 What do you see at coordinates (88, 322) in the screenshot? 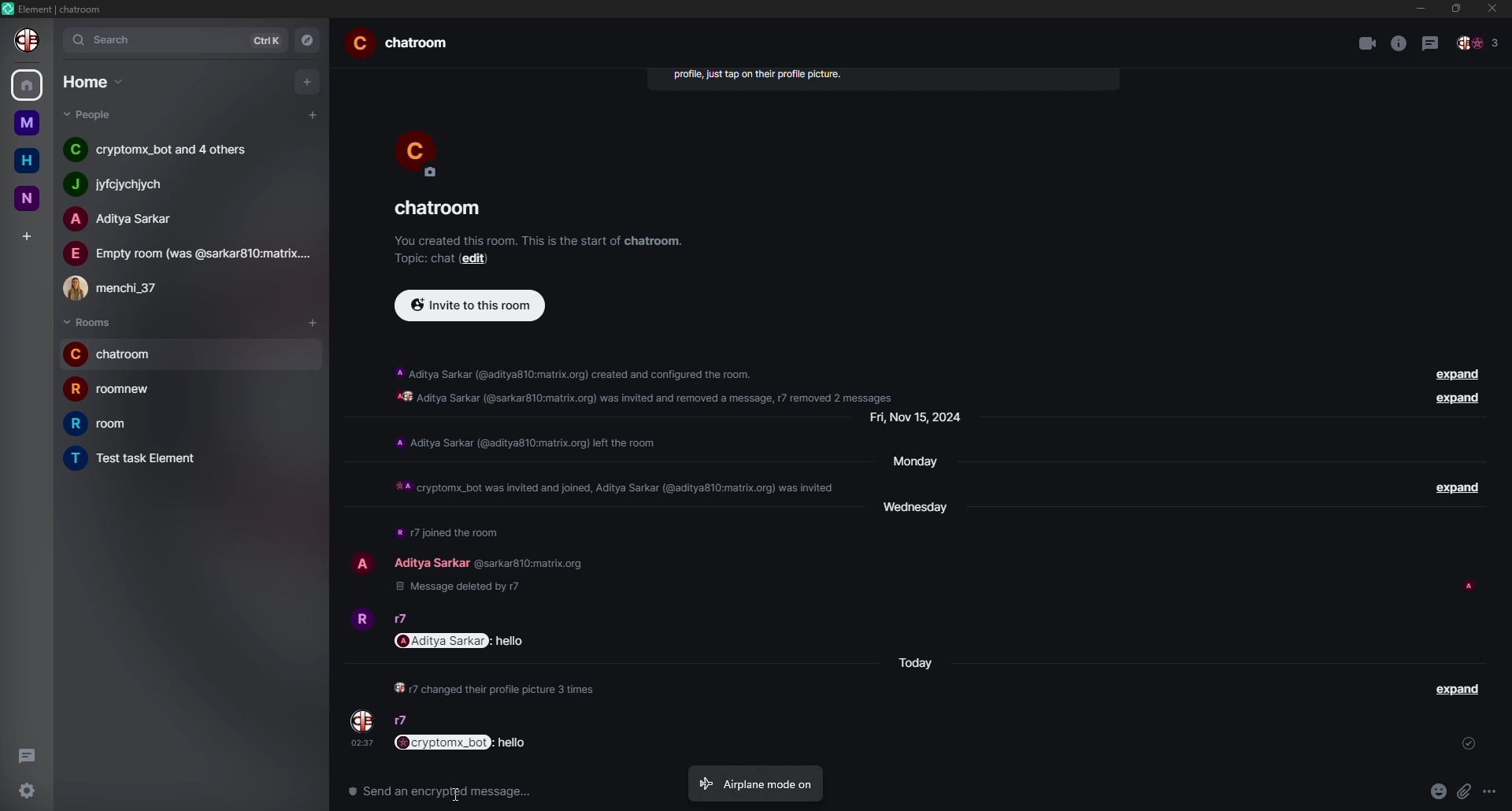
I see `rooms` at bounding box center [88, 322].